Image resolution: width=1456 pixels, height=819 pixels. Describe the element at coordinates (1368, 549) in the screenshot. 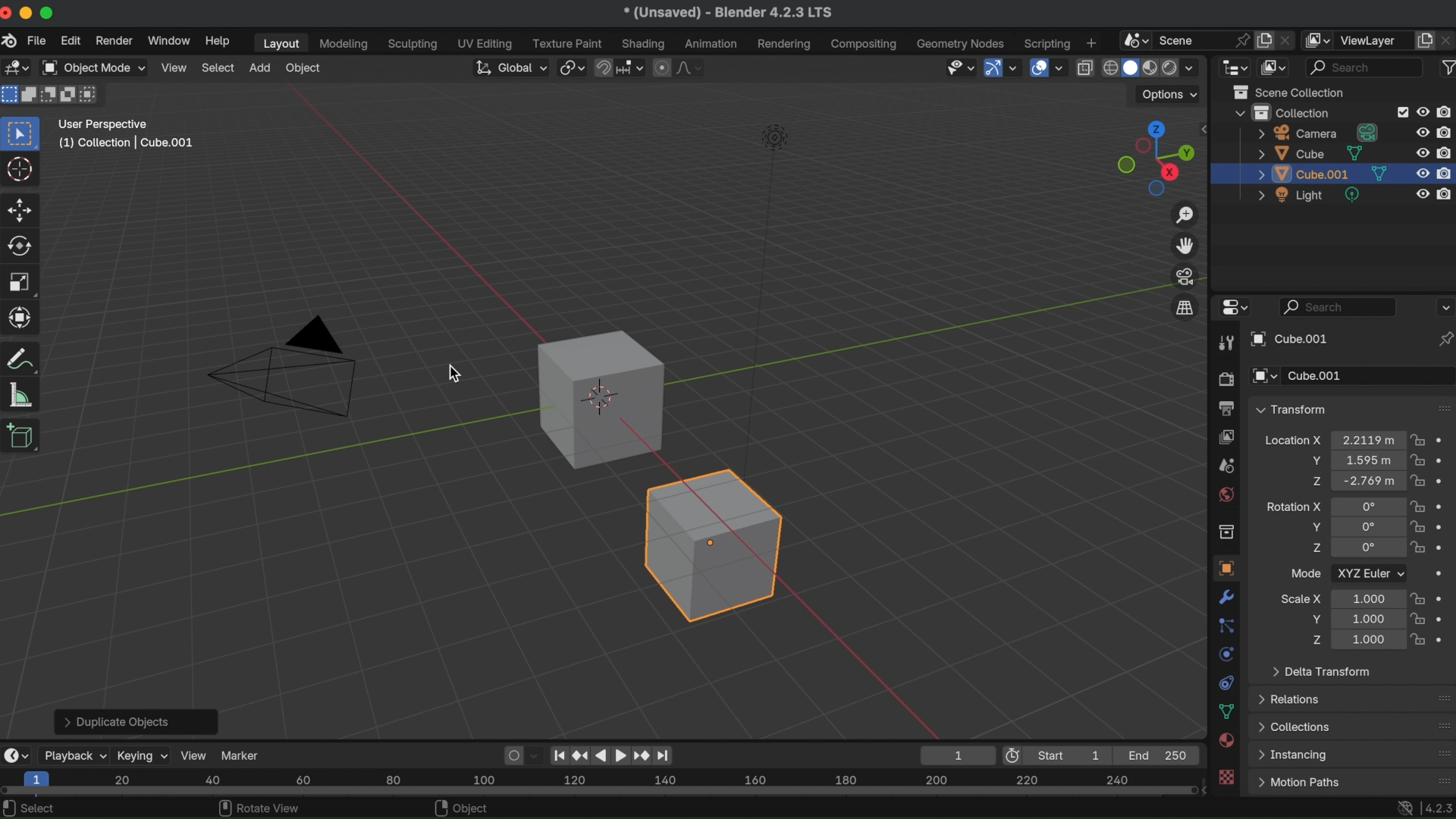

I see `euler rotation` at that location.